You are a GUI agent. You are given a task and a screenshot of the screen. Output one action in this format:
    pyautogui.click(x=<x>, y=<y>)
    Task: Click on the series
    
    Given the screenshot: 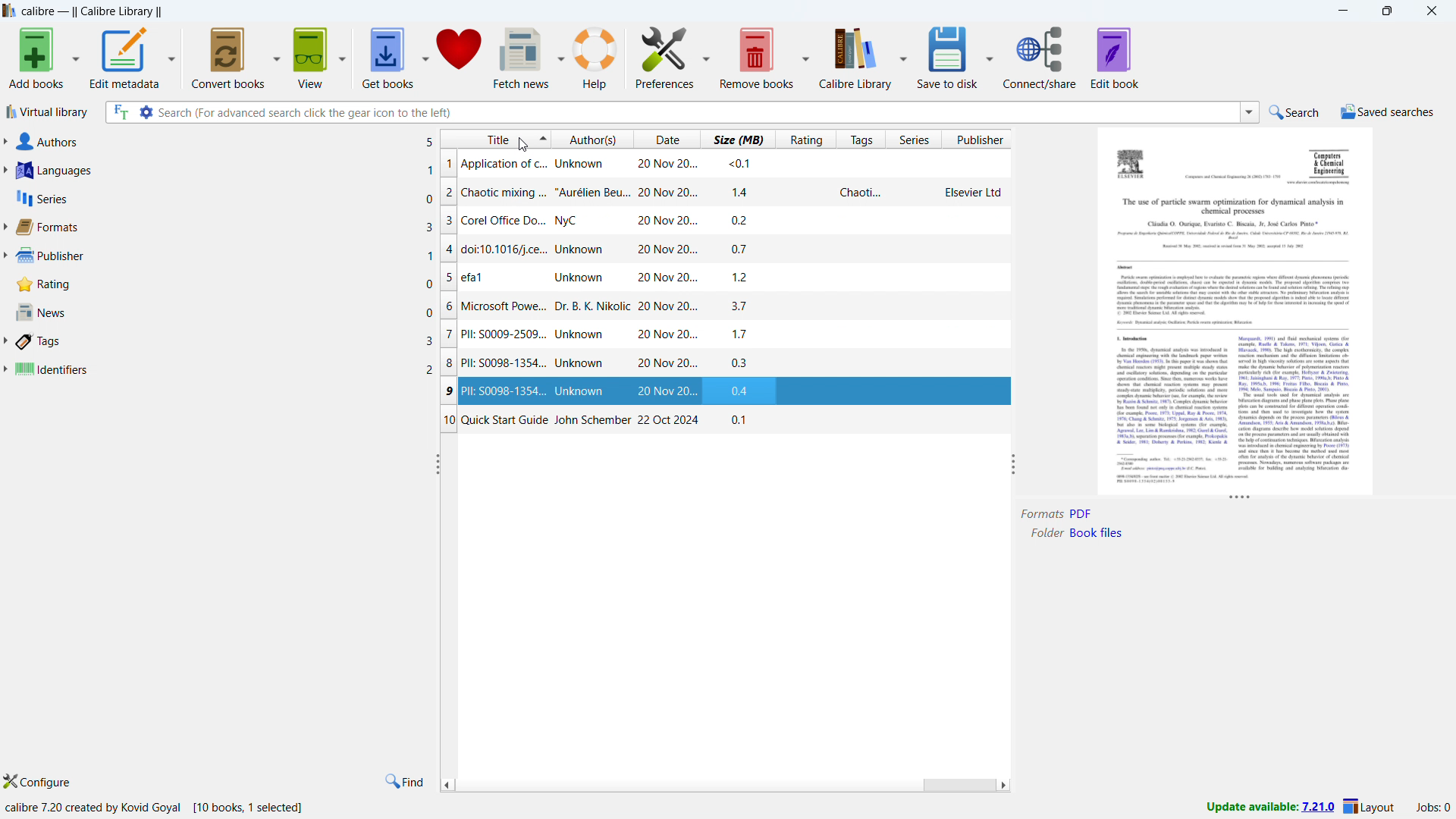 What is the action you would take?
    pyautogui.click(x=224, y=197)
    